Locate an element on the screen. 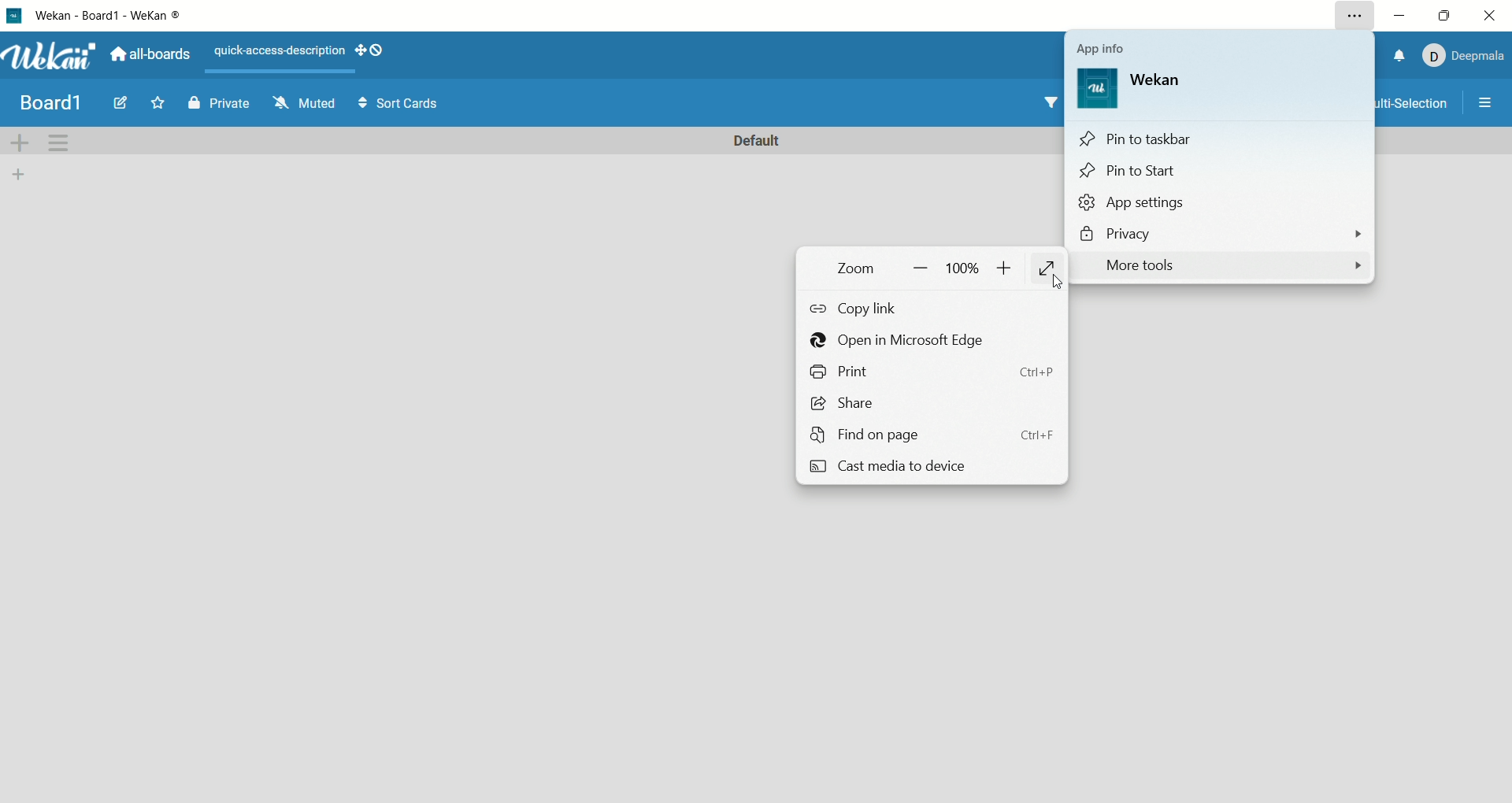 This screenshot has width=1512, height=803. app info is located at coordinates (1102, 46).